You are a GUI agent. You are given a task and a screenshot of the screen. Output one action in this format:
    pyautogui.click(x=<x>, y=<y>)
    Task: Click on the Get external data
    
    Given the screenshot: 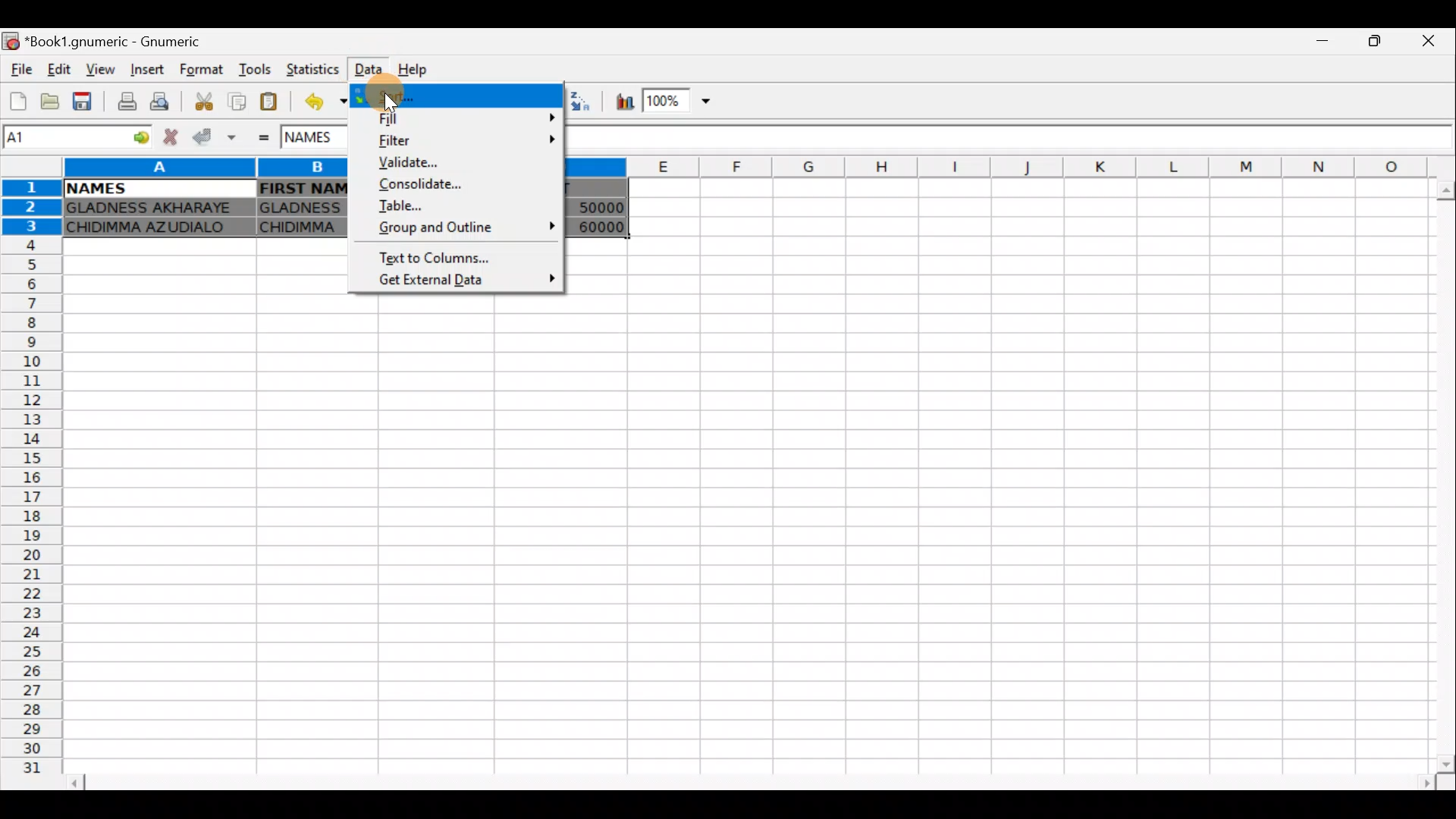 What is the action you would take?
    pyautogui.click(x=464, y=281)
    